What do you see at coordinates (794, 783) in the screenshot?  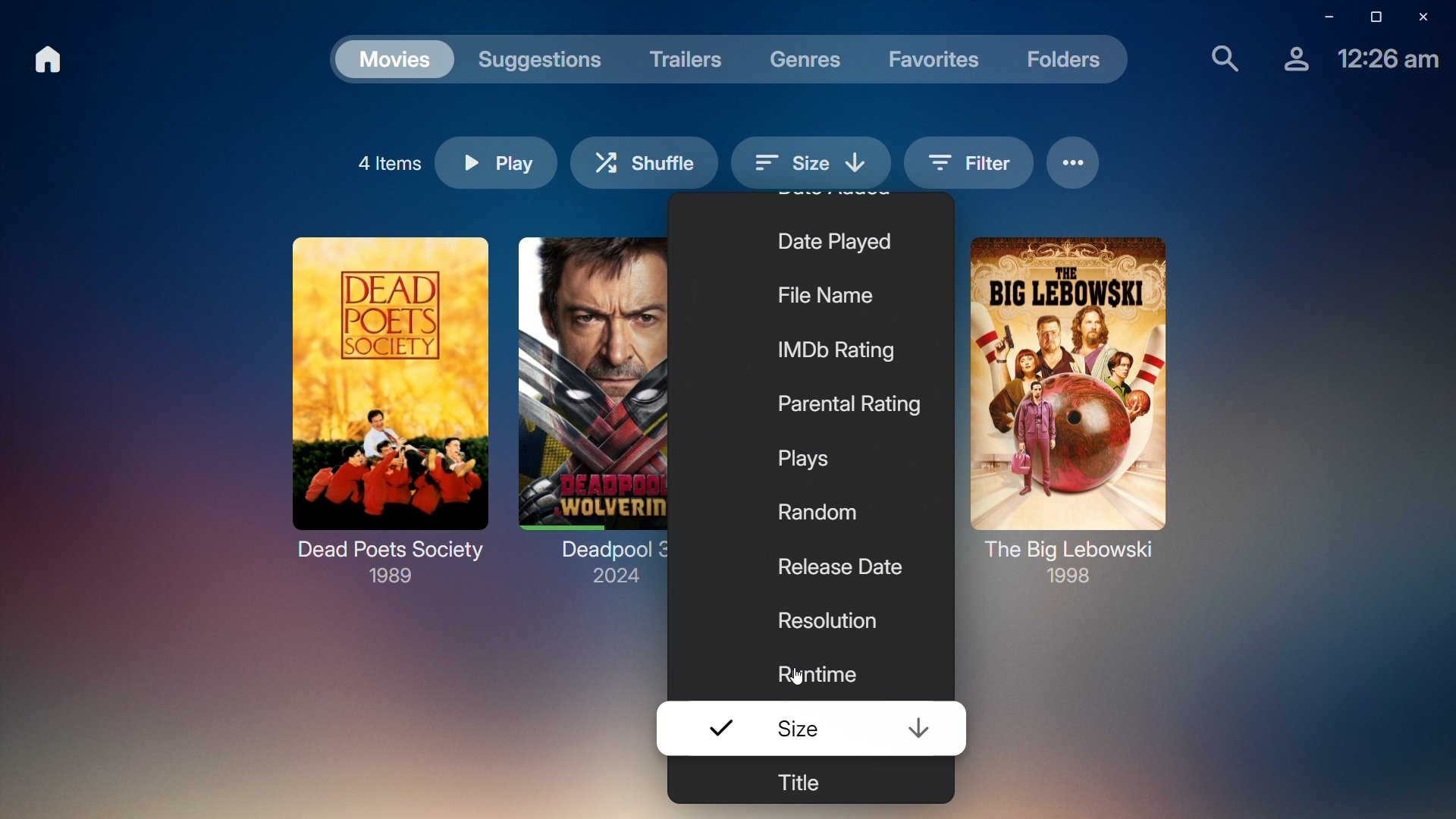 I see `Title` at bounding box center [794, 783].